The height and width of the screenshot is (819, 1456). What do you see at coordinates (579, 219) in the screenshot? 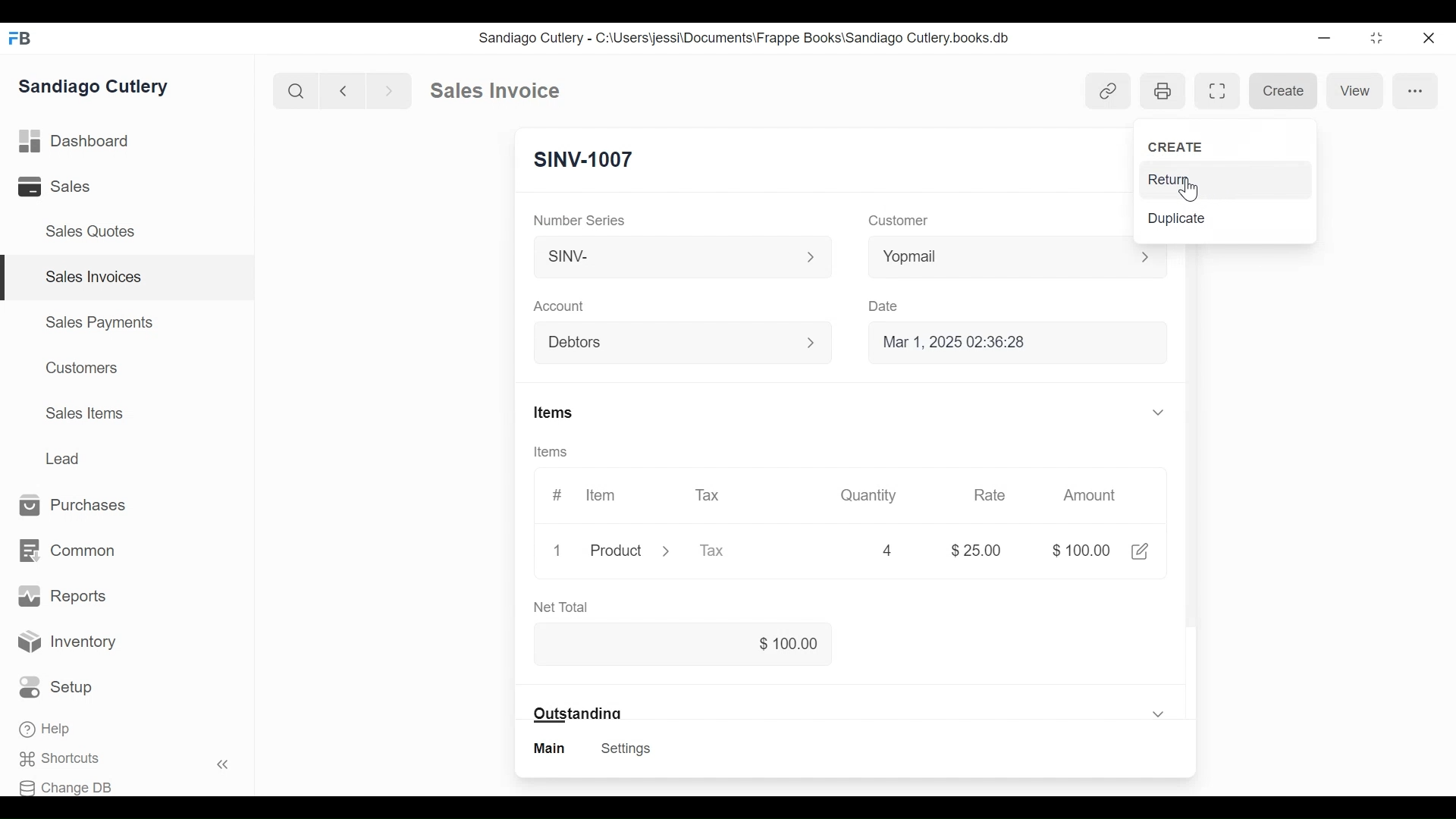
I see `Number Series` at bounding box center [579, 219].